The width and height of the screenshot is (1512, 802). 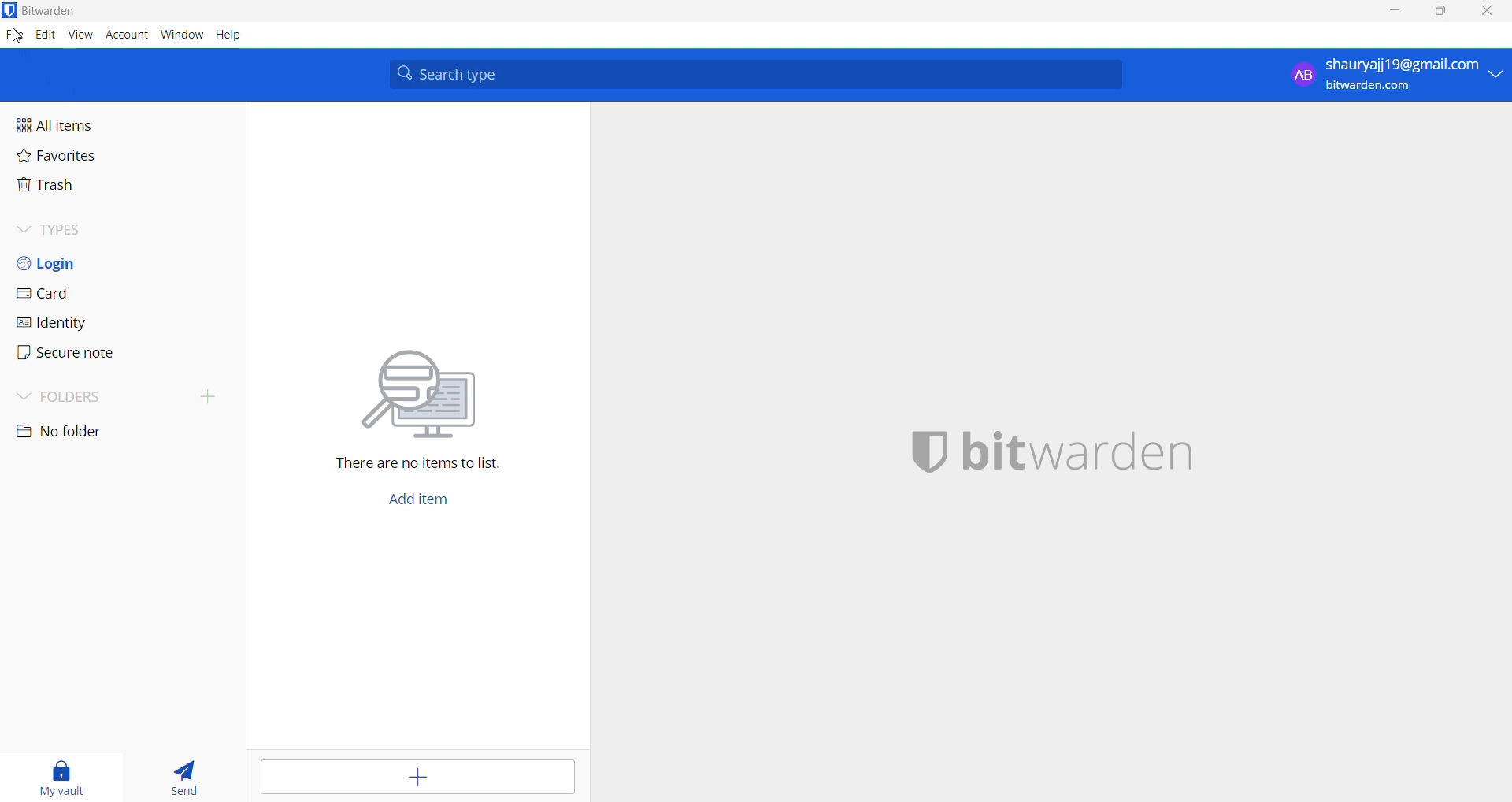 What do you see at coordinates (191, 774) in the screenshot?
I see `send` at bounding box center [191, 774].